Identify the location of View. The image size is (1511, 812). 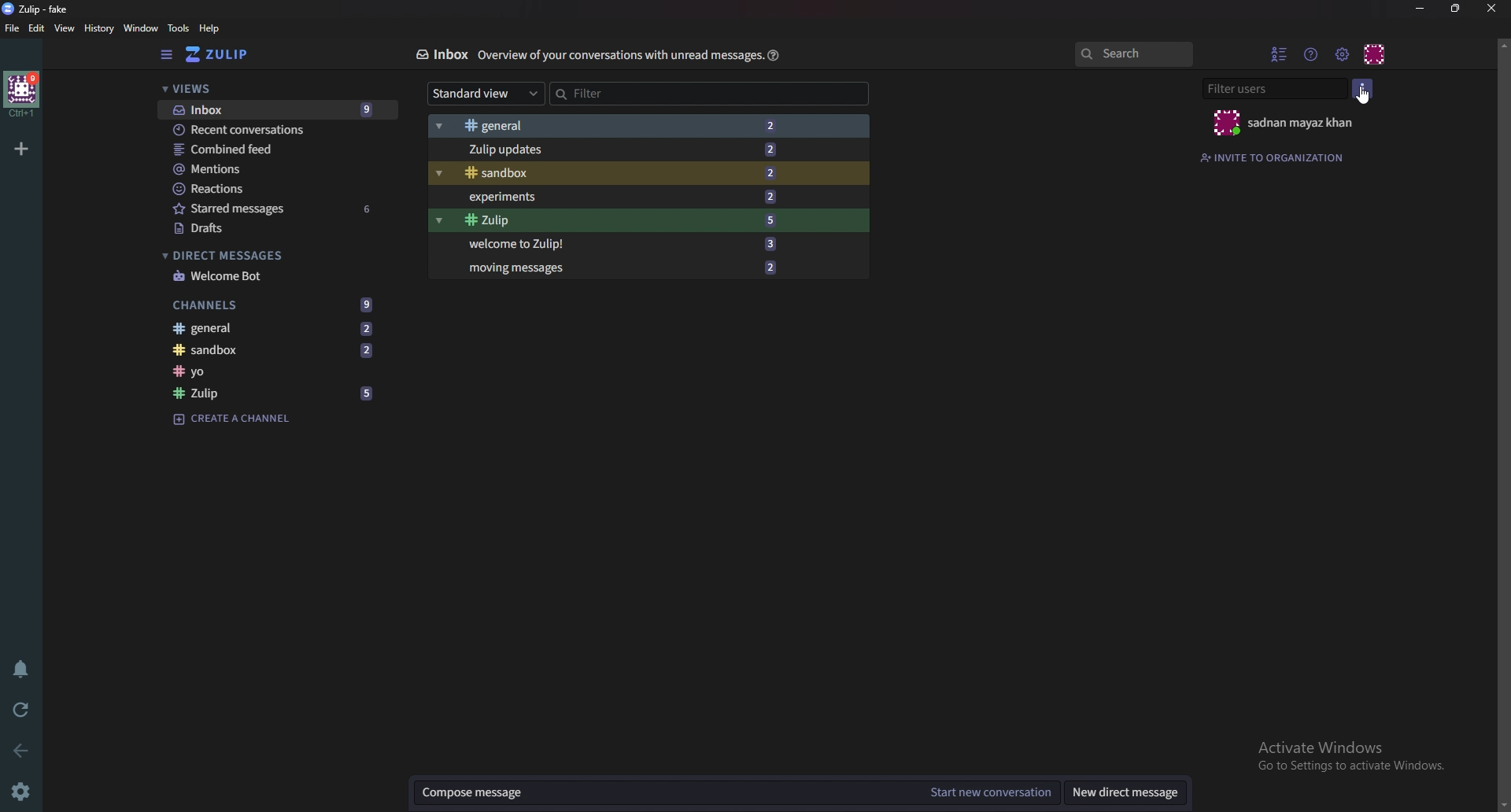
(63, 29).